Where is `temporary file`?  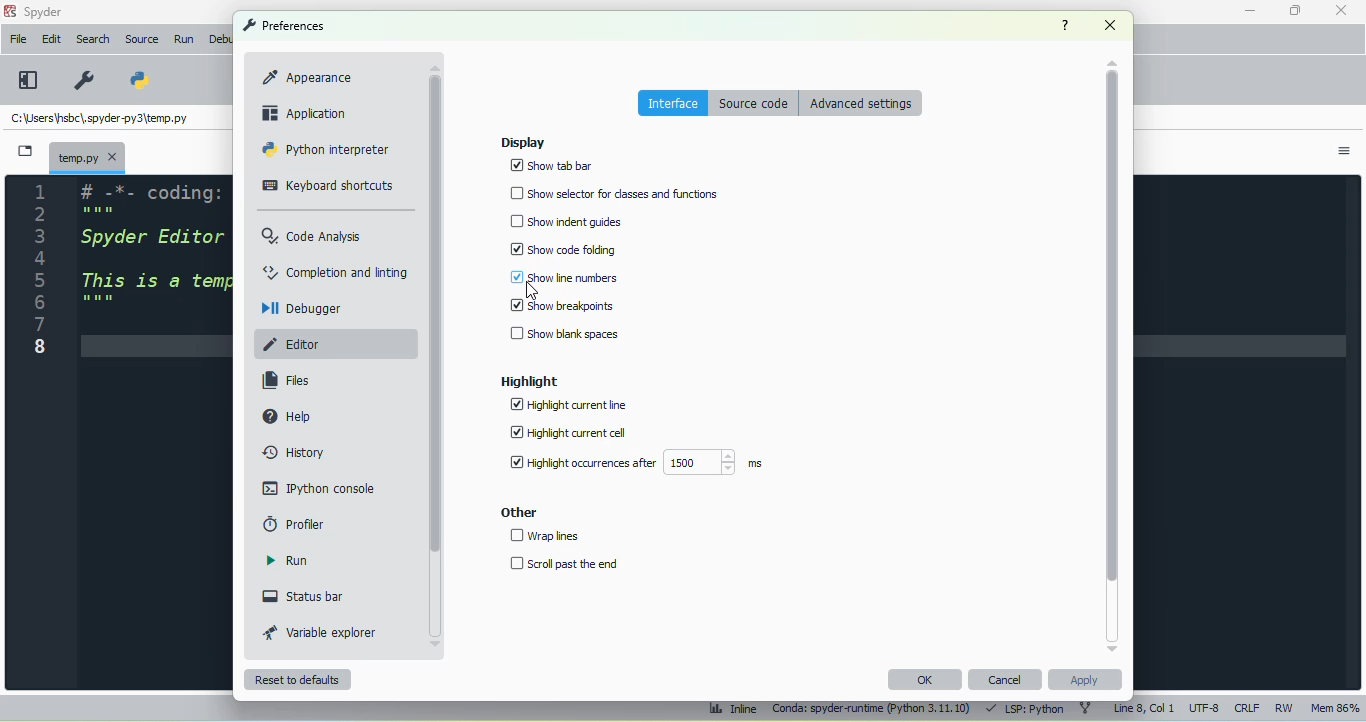 temporary file is located at coordinates (101, 117).